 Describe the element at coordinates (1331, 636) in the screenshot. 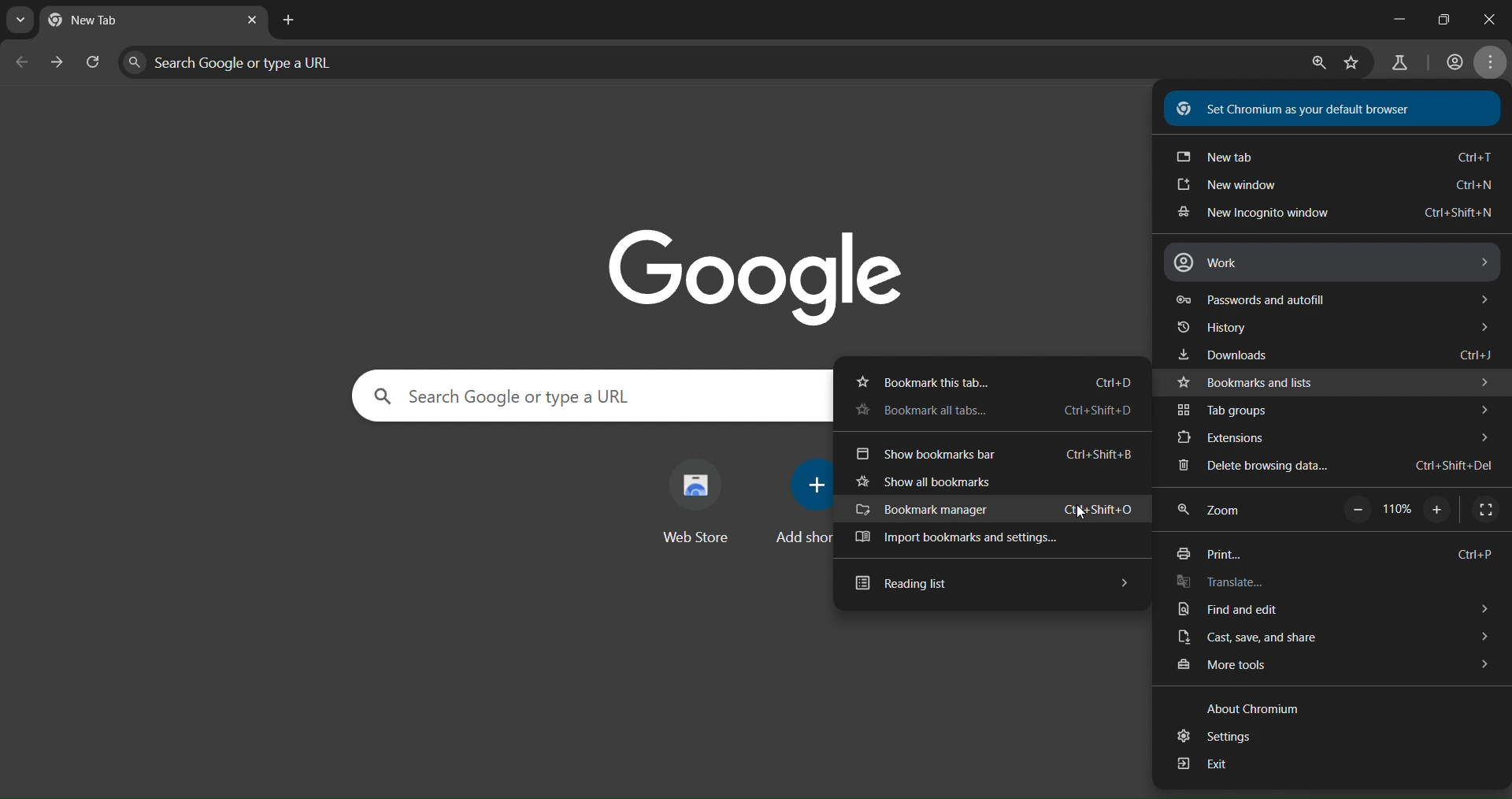

I see `cast, save and share` at that location.